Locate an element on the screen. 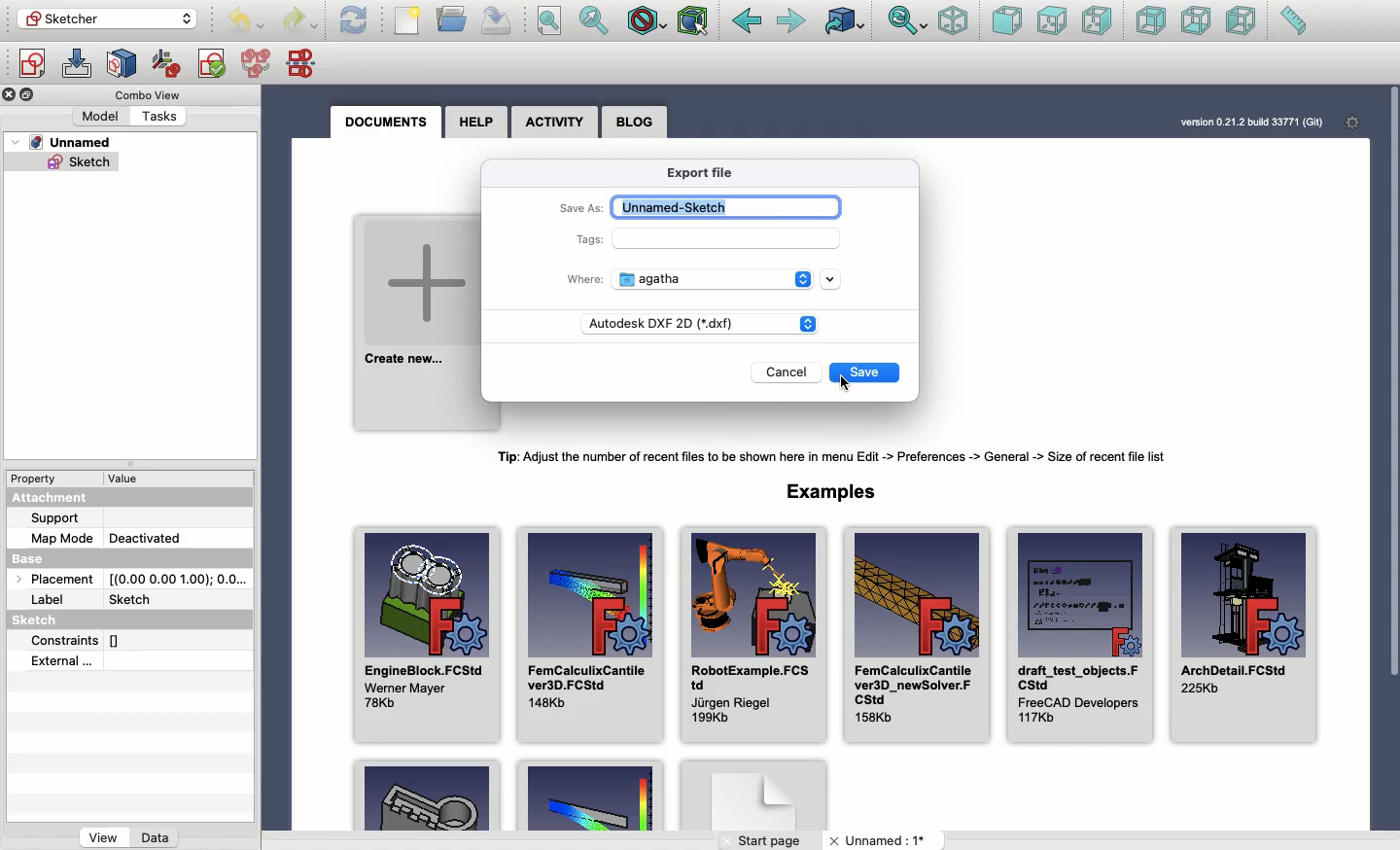 Image resolution: width=1400 pixels, height=850 pixels. Unnamed: 1* is located at coordinates (877, 841).